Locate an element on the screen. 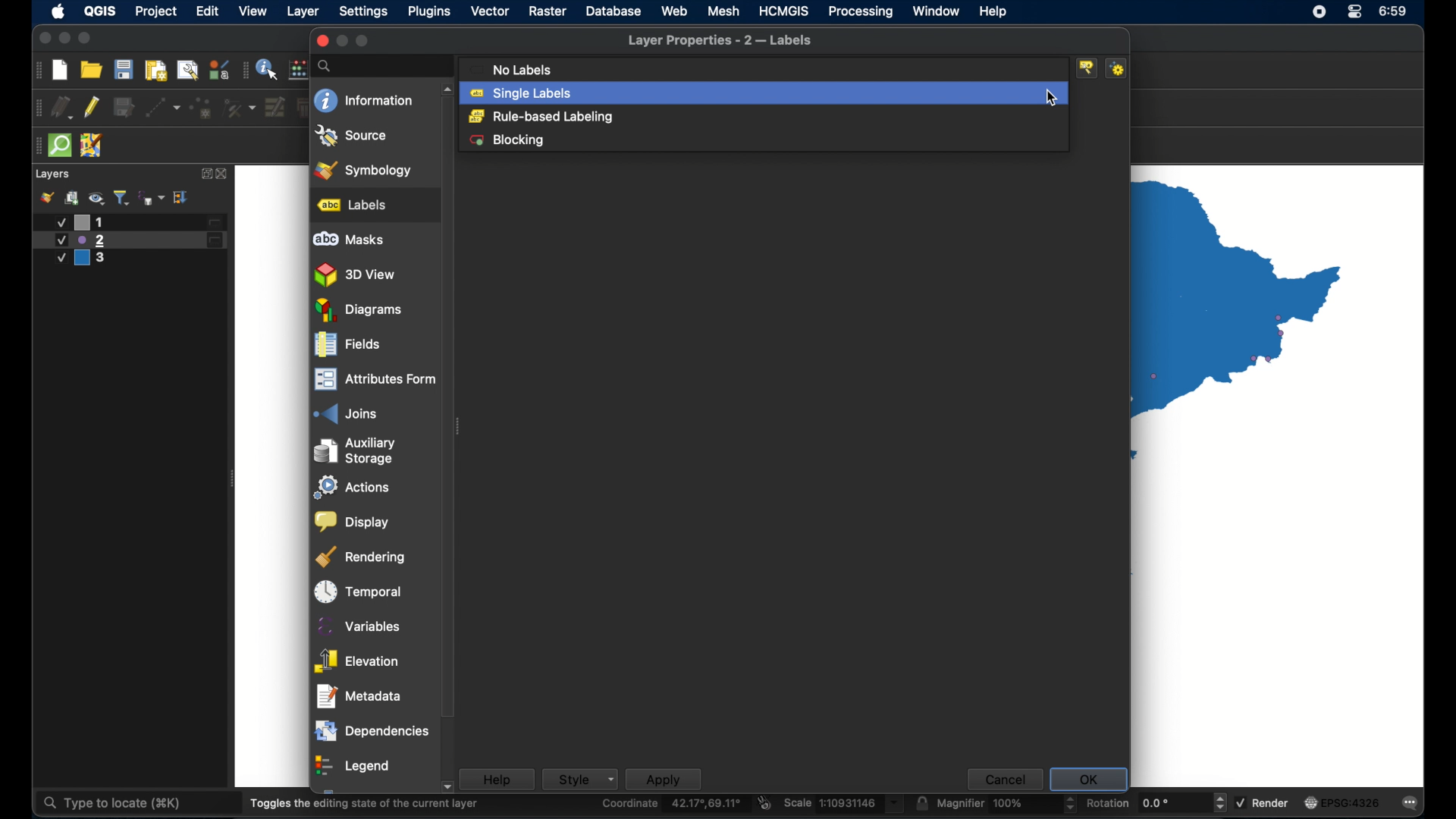 This screenshot has width=1456, height=819. control center is located at coordinates (1356, 11).